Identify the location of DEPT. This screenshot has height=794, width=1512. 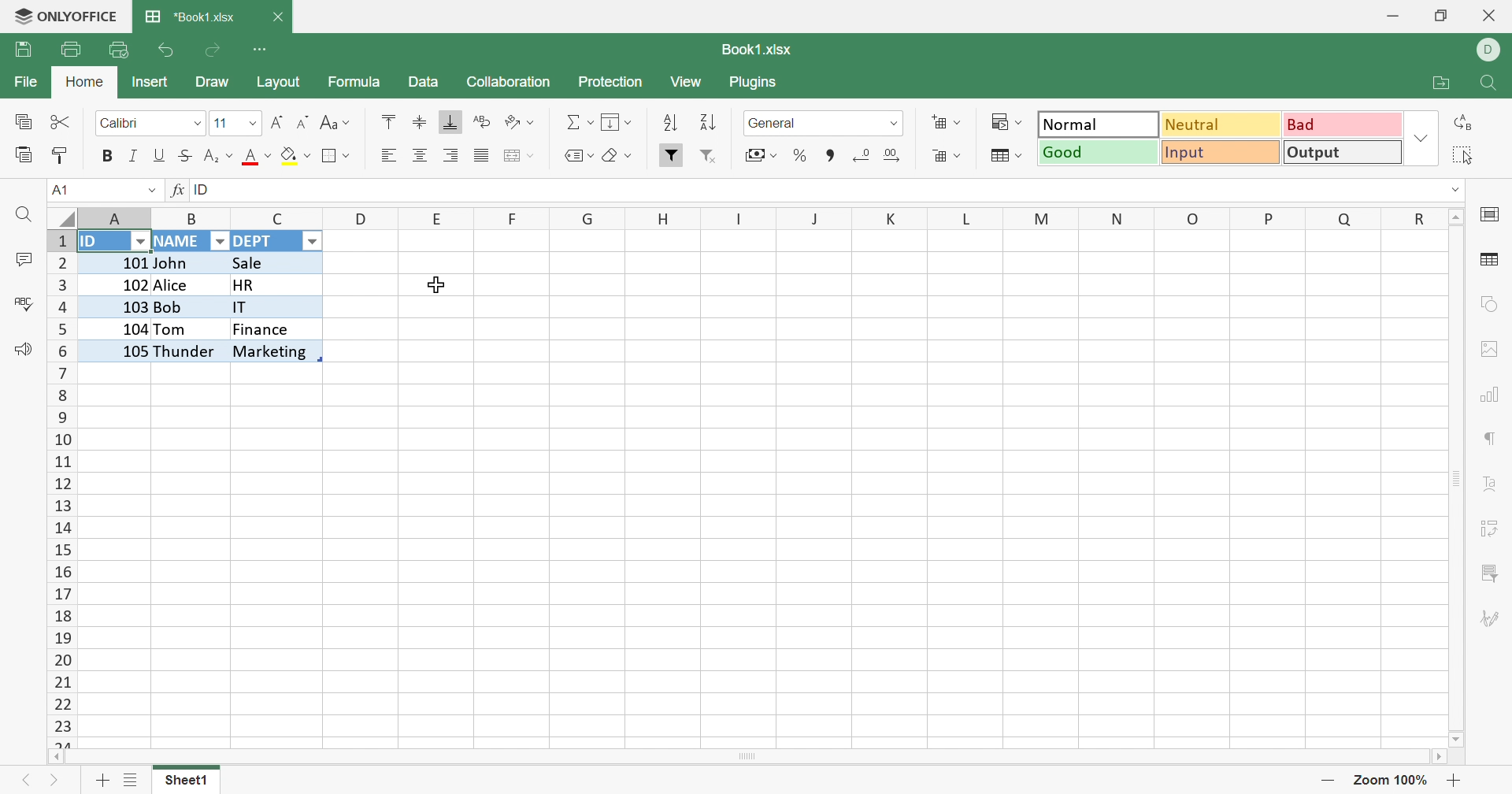
(258, 243).